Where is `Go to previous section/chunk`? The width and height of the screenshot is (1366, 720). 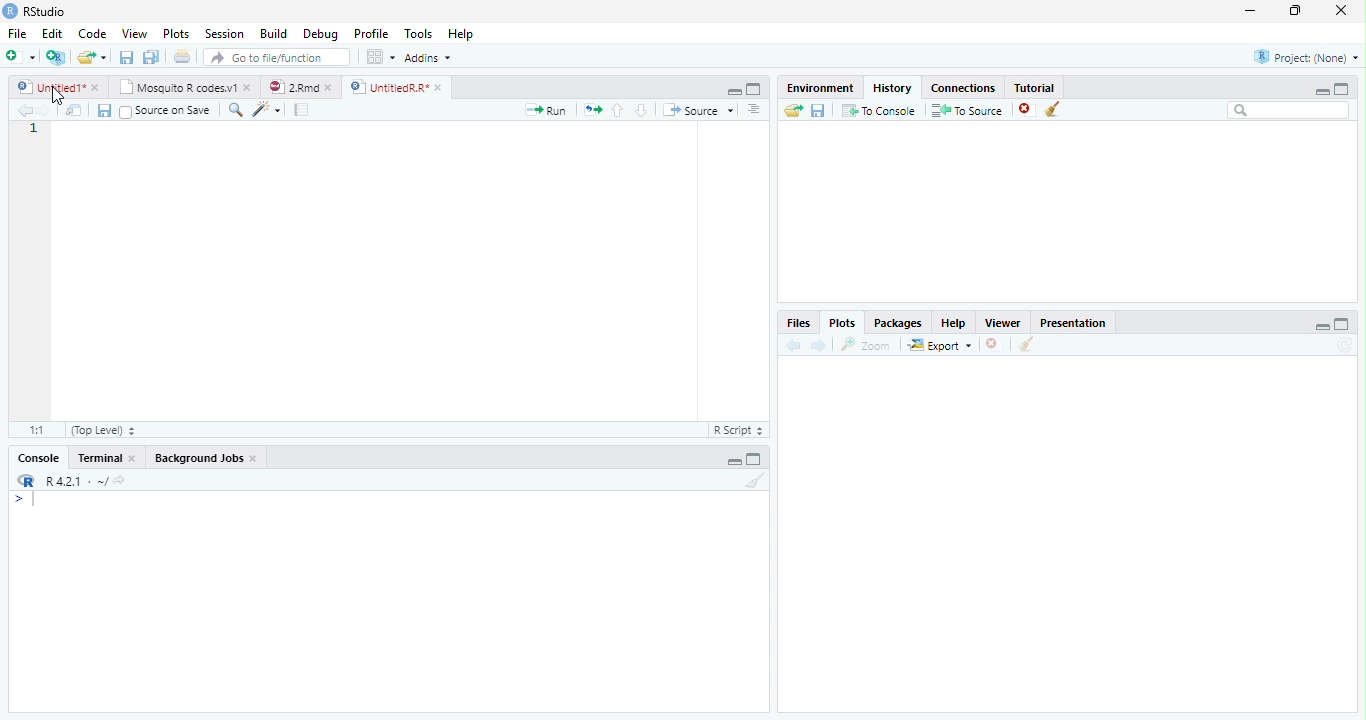 Go to previous section/chunk is located at coordinates (617, 110).